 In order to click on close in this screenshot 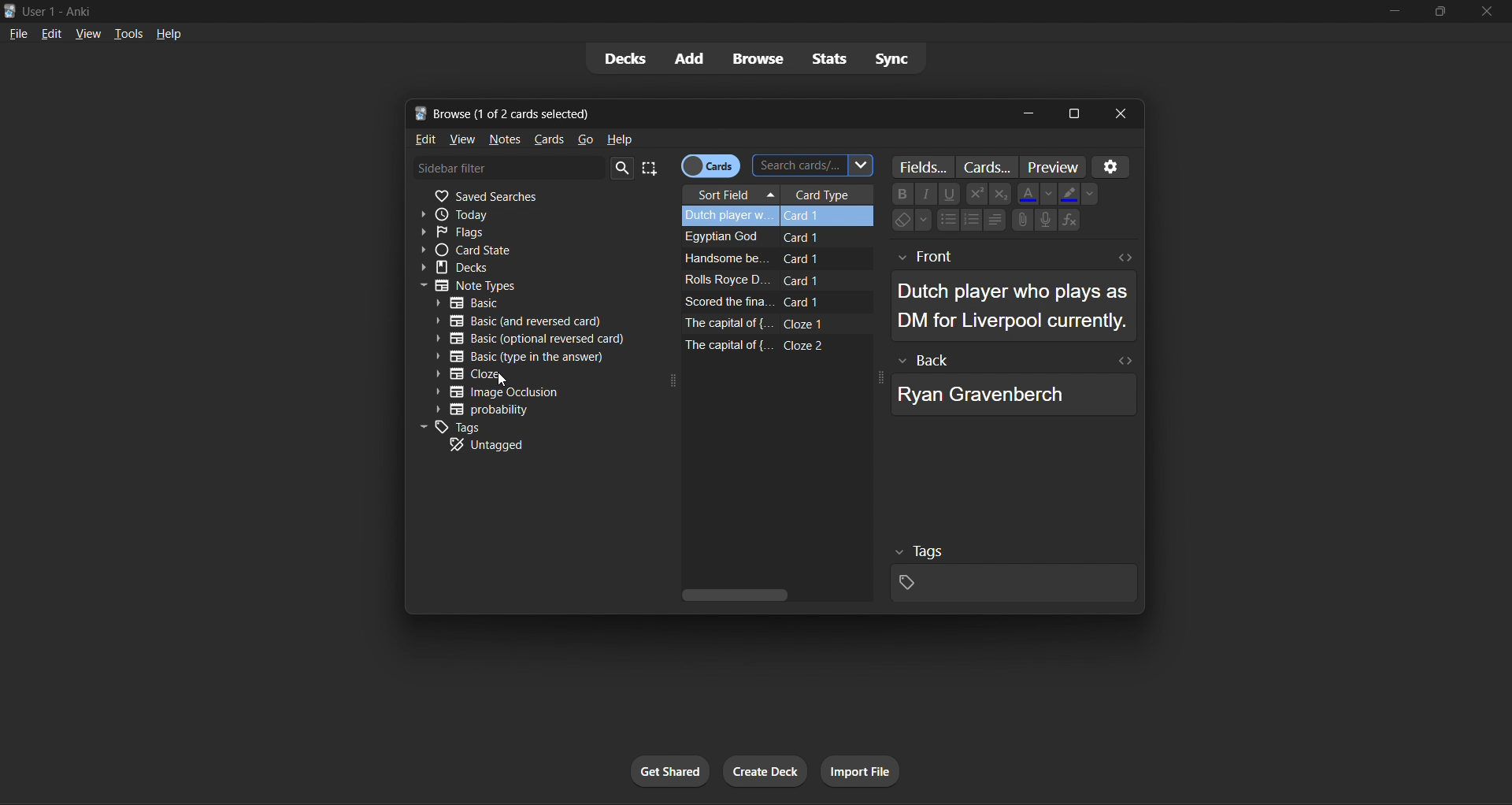, I will do `click(1123, 113)`.